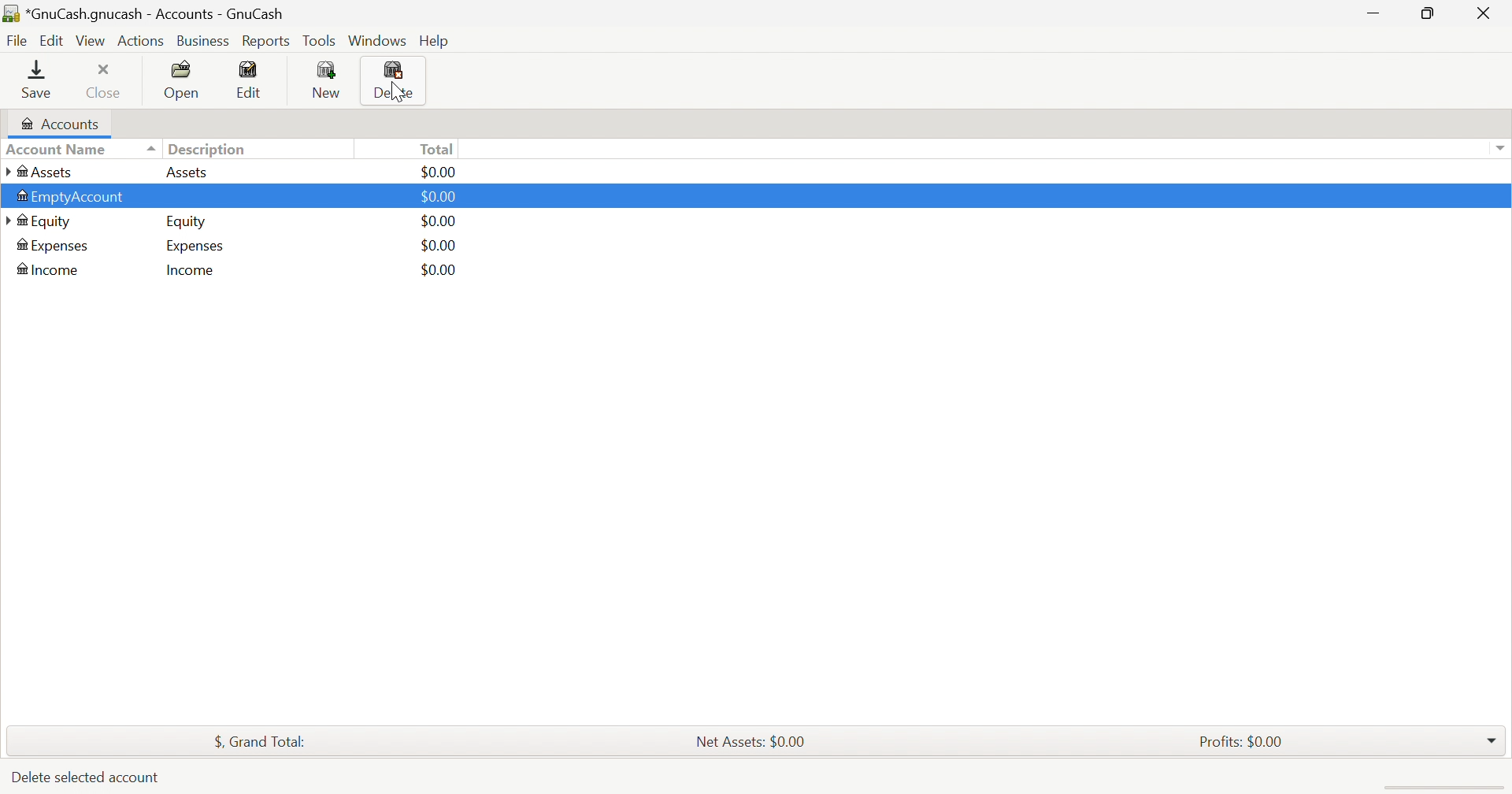  Describe the element at coordinates (395, 80) in the screenshot. I see `Delete` at that location.